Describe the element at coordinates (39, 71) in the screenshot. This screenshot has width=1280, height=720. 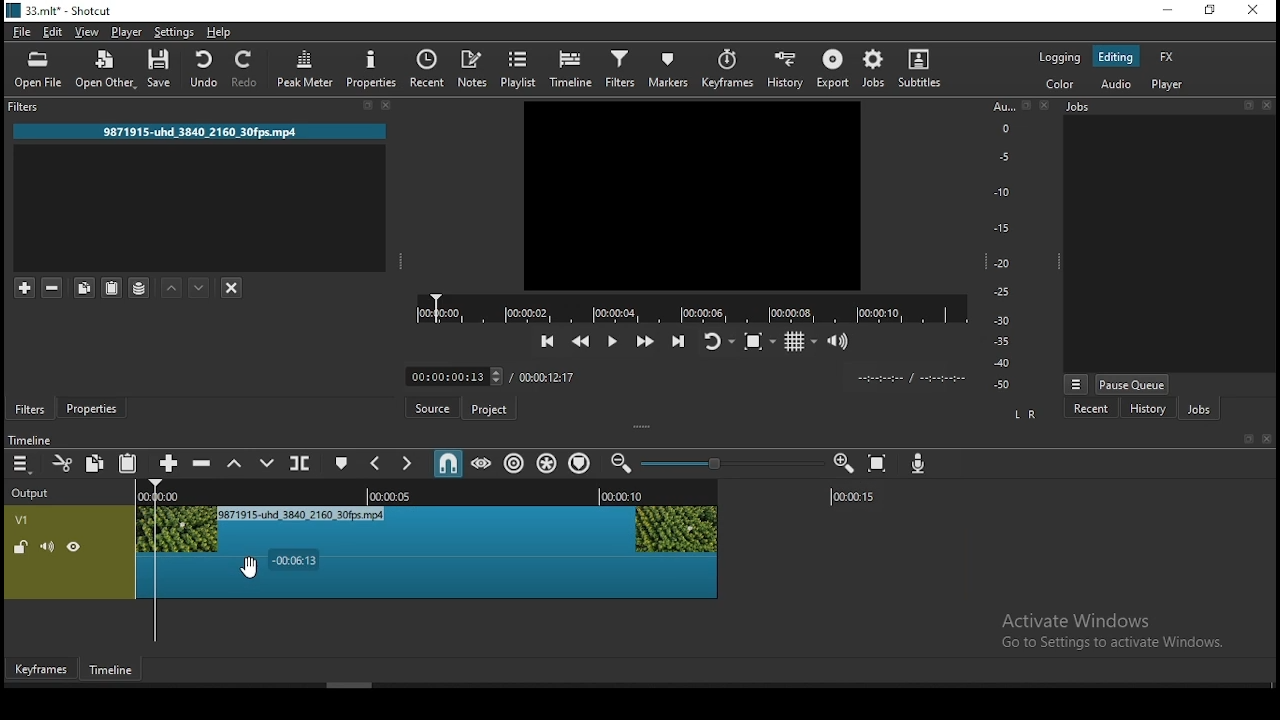
I see `open file` at that location.